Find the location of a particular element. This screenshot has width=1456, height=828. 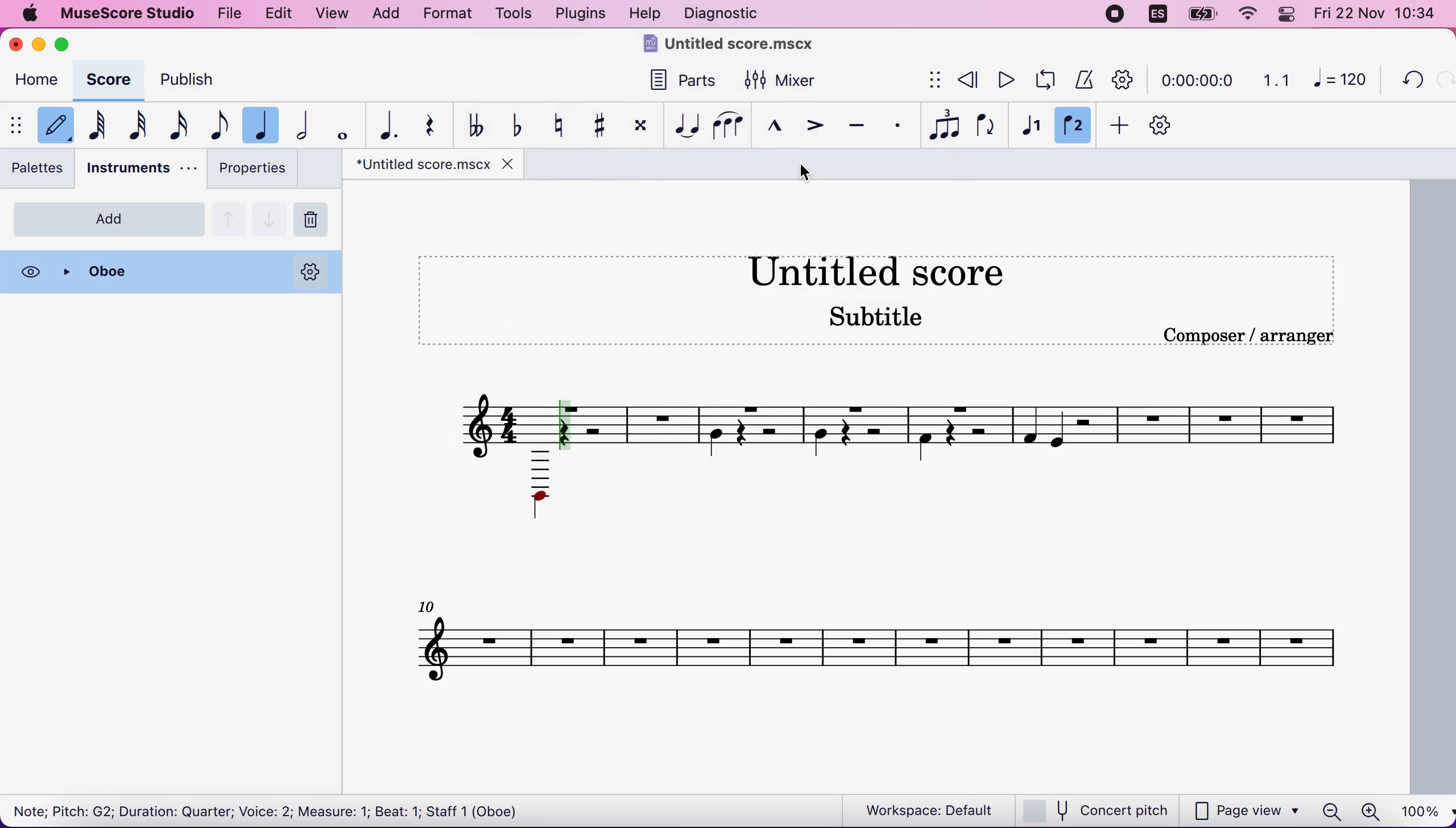

show/hide is located at coordinates (18, 127).